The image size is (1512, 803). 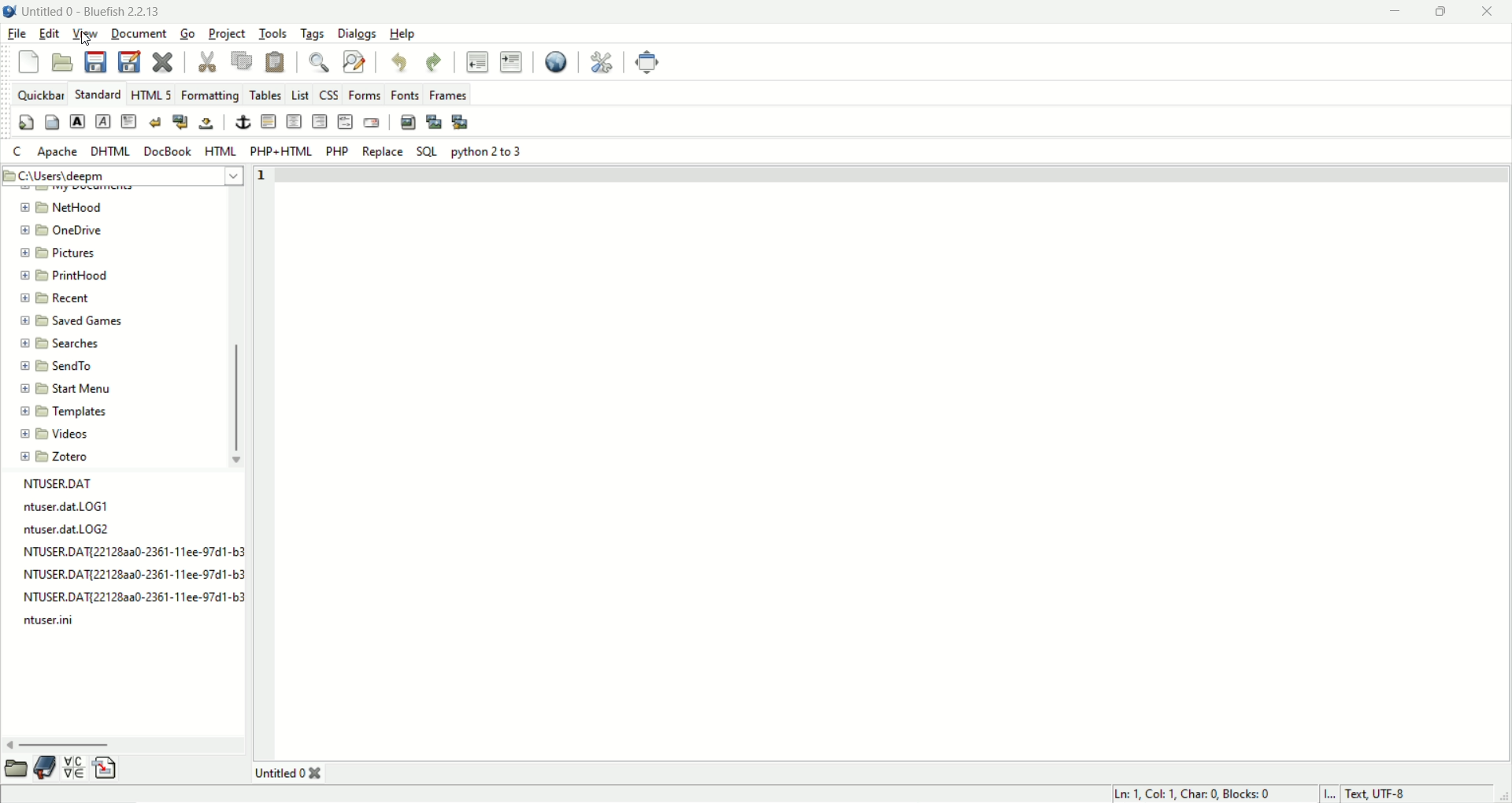 What do you see at coordinates (9, 11) in the screenshot?
I see `logo` at bounding box center [9, 11].